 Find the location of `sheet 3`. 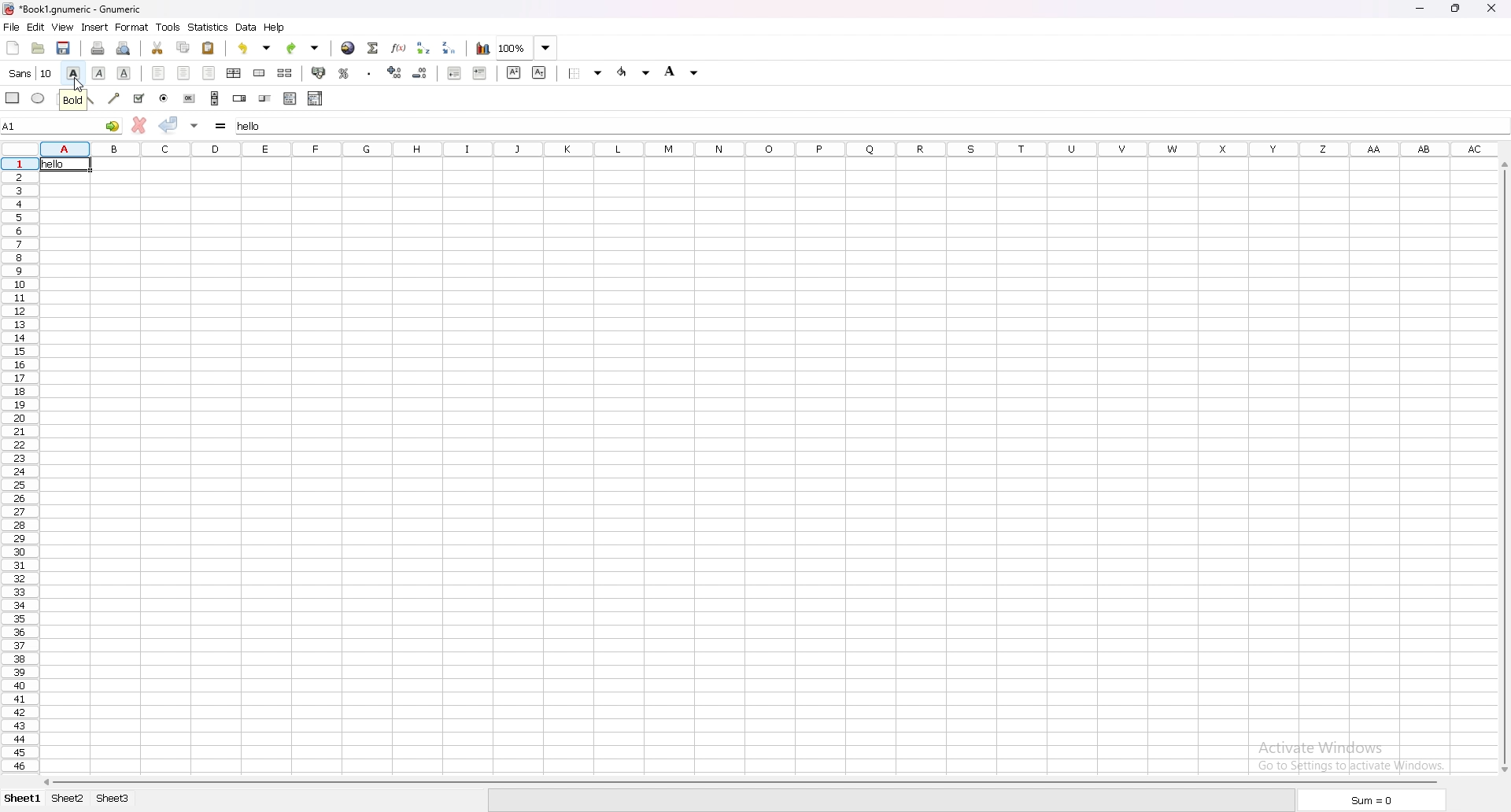

sheet 3 is located at coordinates (116, 799).